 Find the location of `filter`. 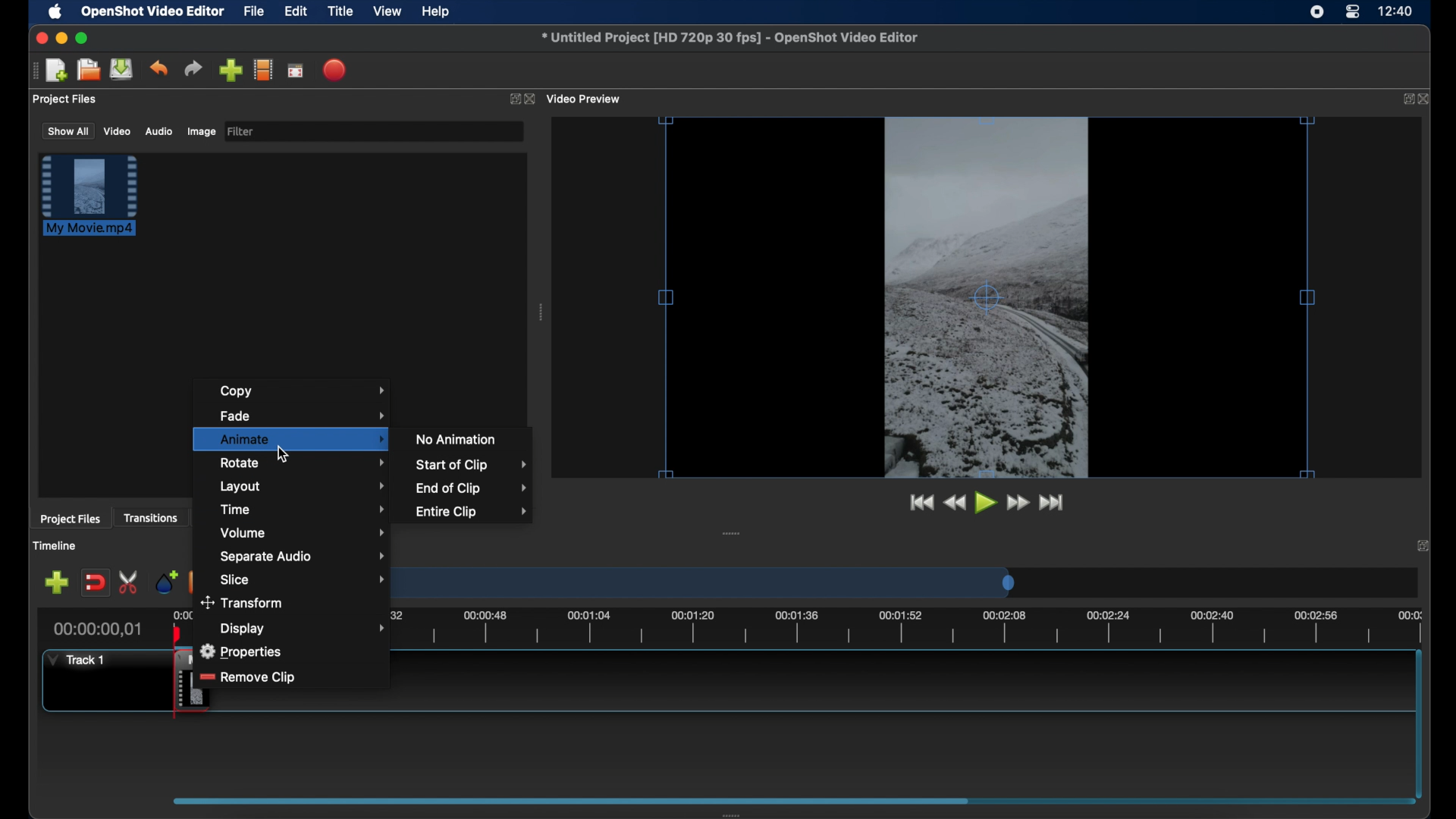

filter is located at coordinates (241, 130).